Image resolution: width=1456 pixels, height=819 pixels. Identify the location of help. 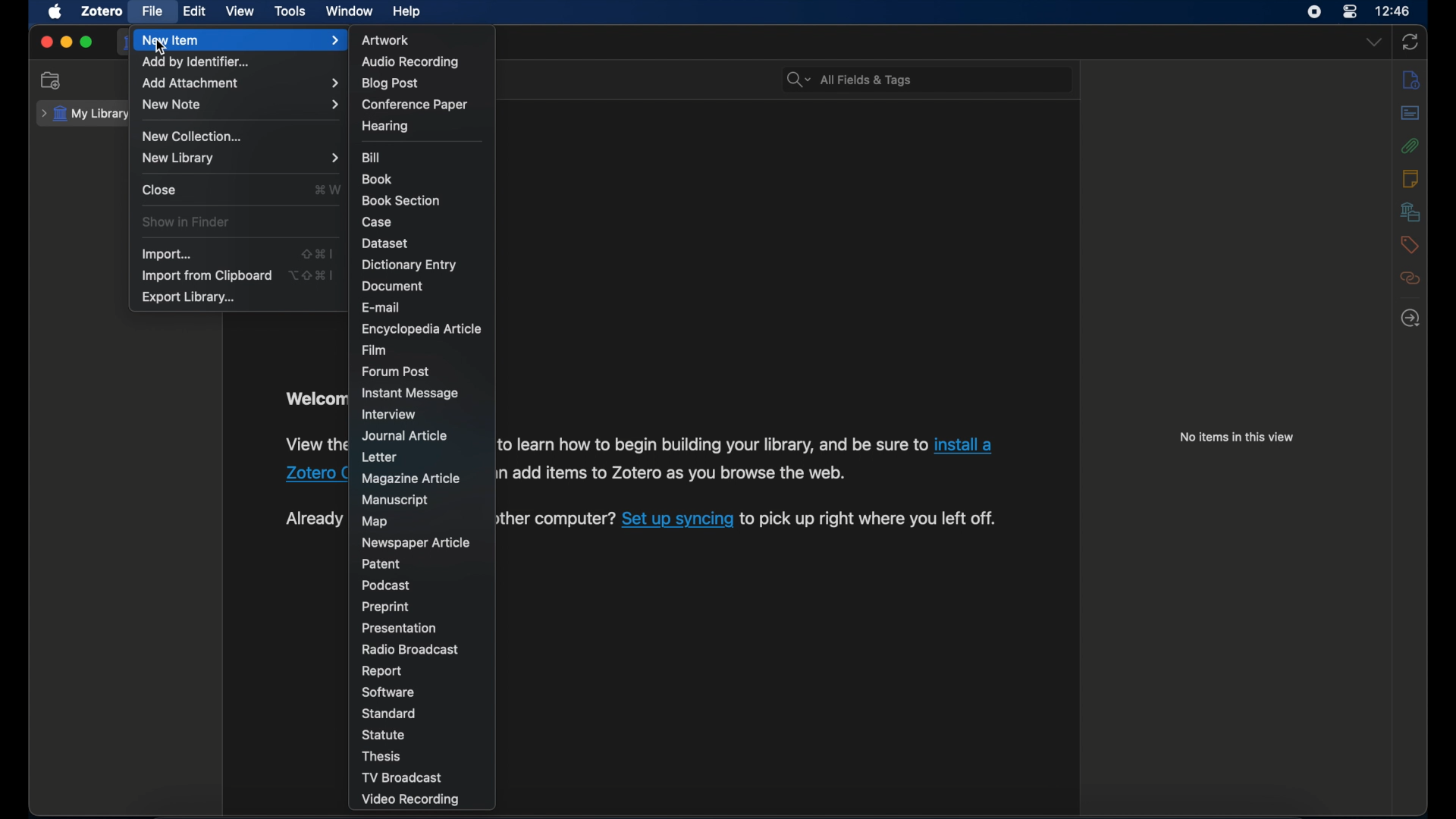
(408, 12).